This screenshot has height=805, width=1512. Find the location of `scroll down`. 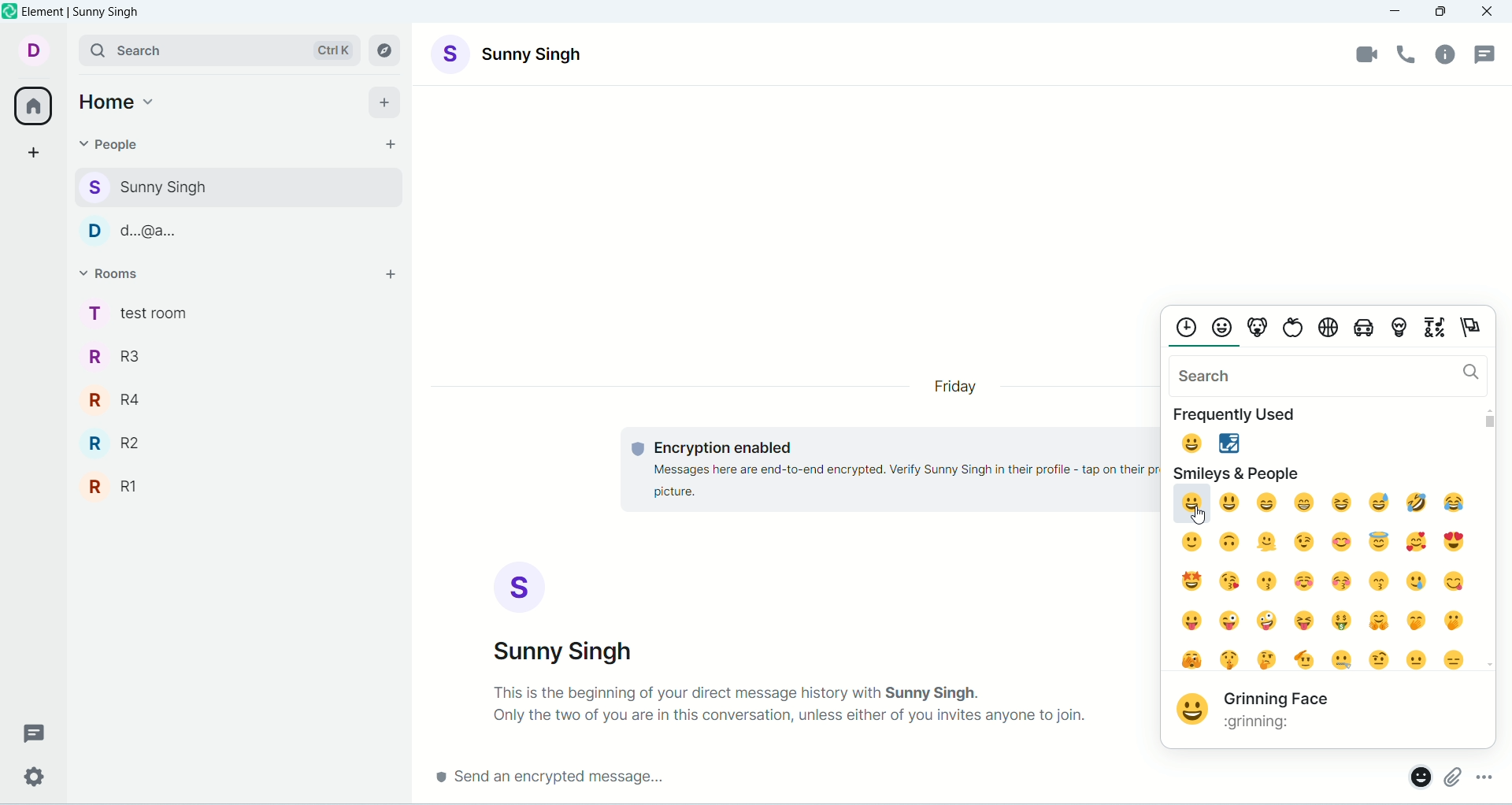

scroll down is located at coordinates (1487, 664).